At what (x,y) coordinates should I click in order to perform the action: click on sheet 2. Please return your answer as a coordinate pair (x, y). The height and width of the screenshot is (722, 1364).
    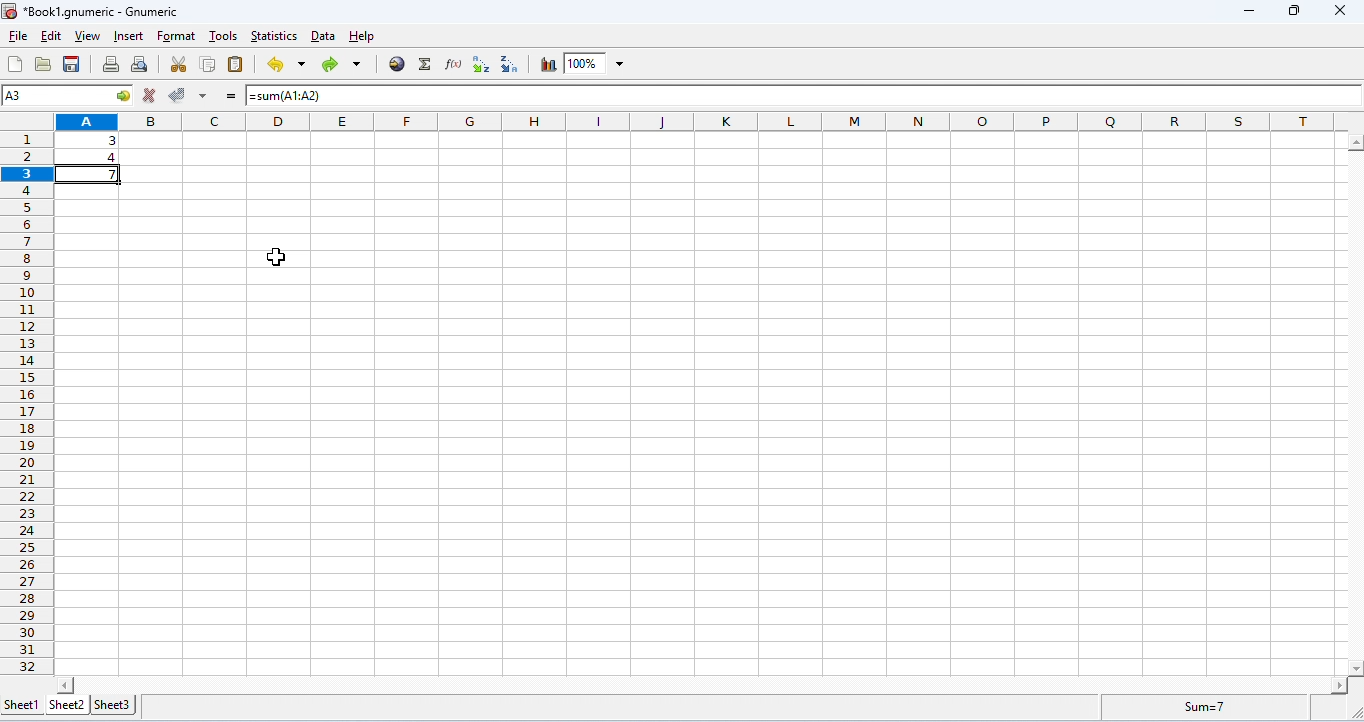
    Looking at the image, I should click on (66, 705).